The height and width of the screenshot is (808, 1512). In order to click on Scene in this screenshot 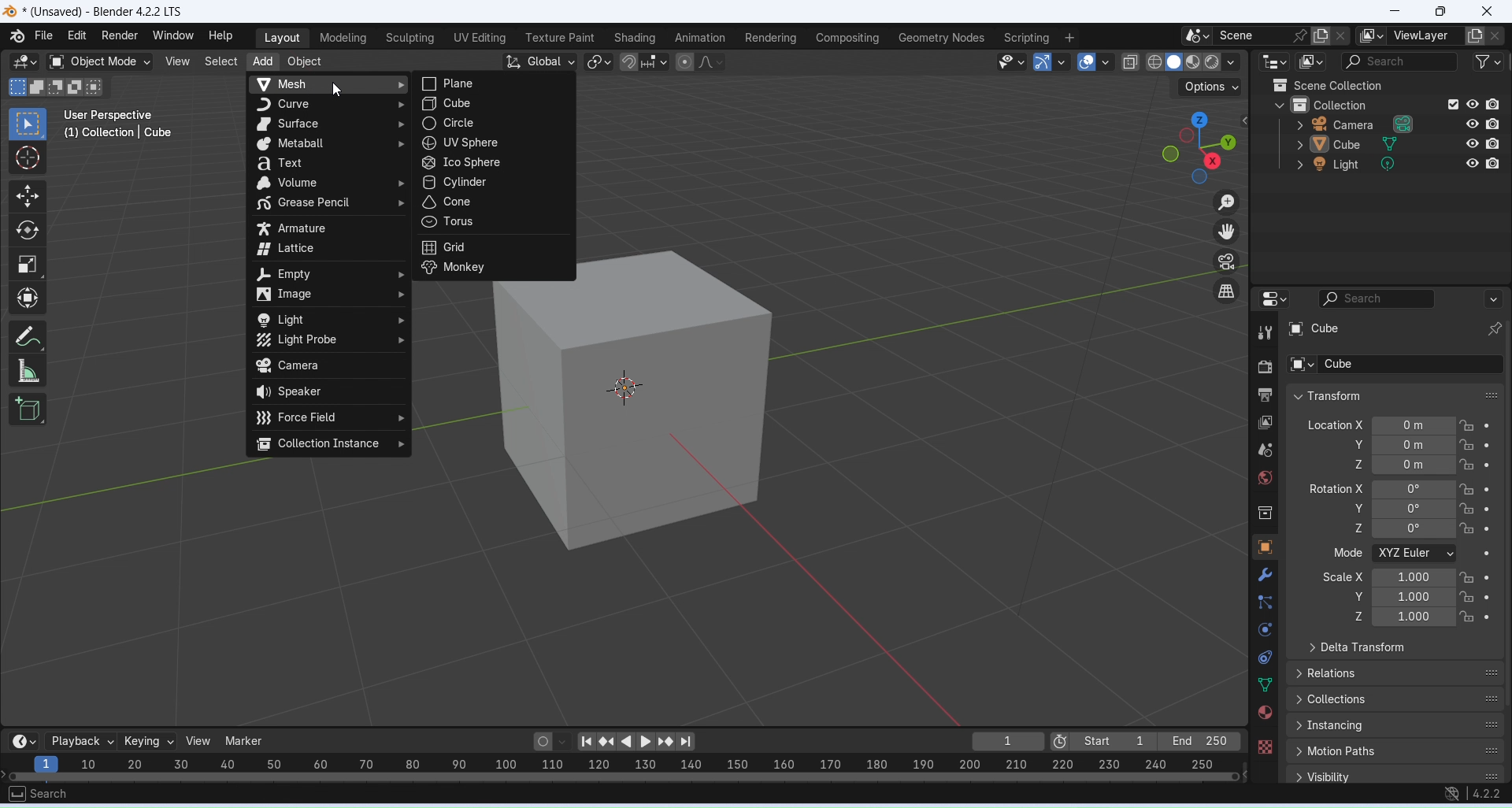, I will do `click(1248, 35)`.